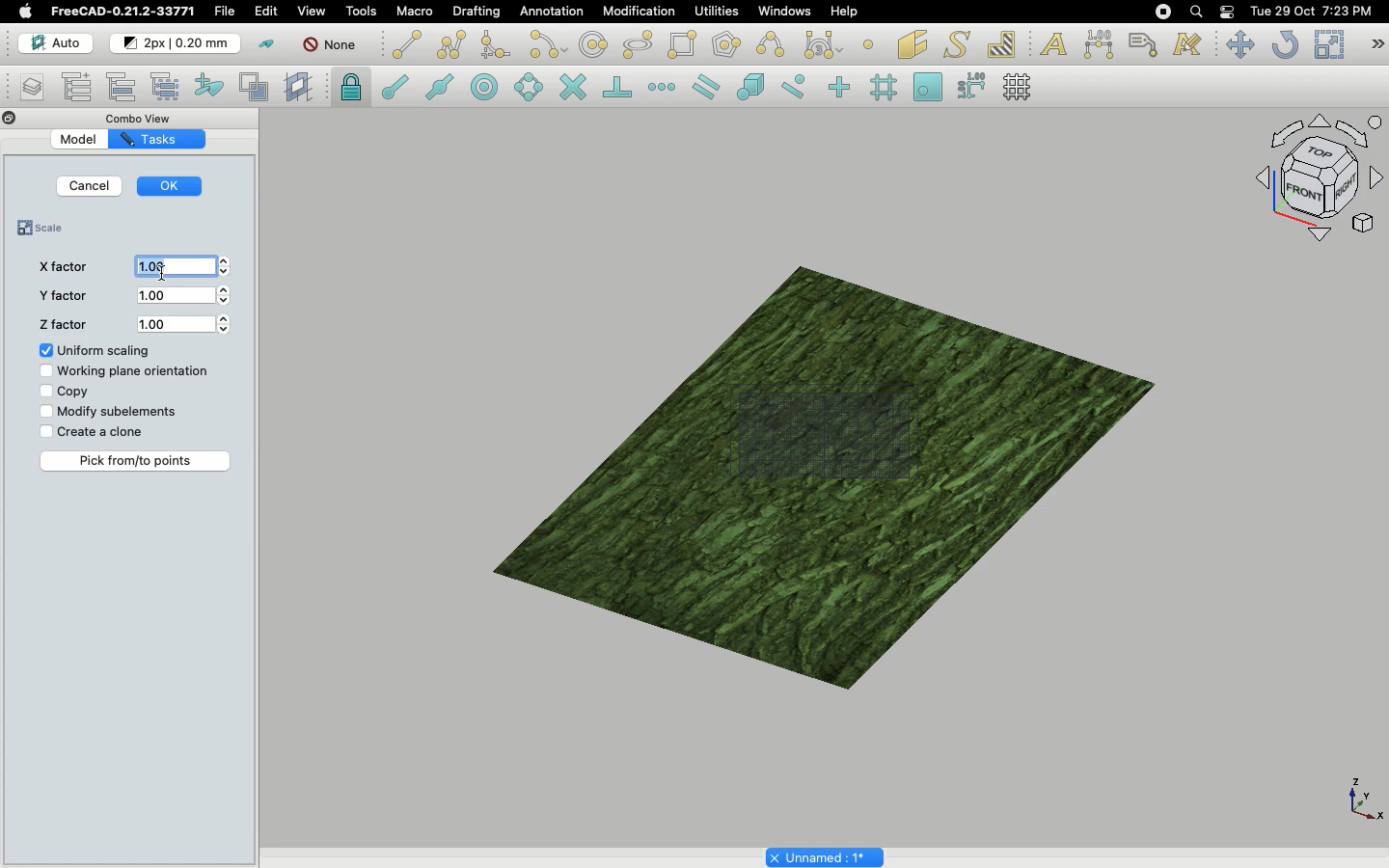  Describe the element at coordinates (122, 12) in the screenshot. I see `FreeCAD` at that location.